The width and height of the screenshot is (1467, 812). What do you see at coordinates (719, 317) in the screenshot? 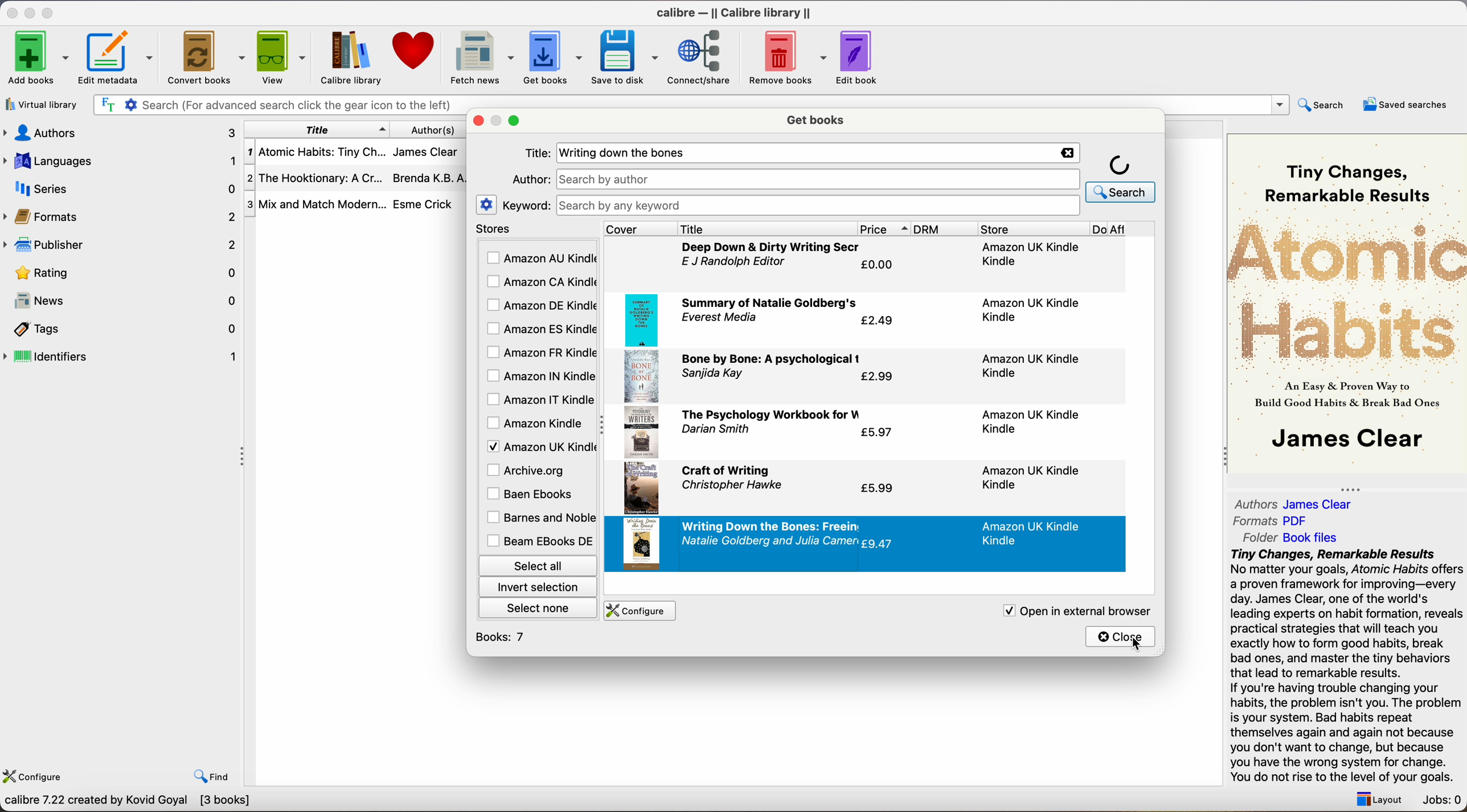
I see `everest media` at bounding box center [719, 317].